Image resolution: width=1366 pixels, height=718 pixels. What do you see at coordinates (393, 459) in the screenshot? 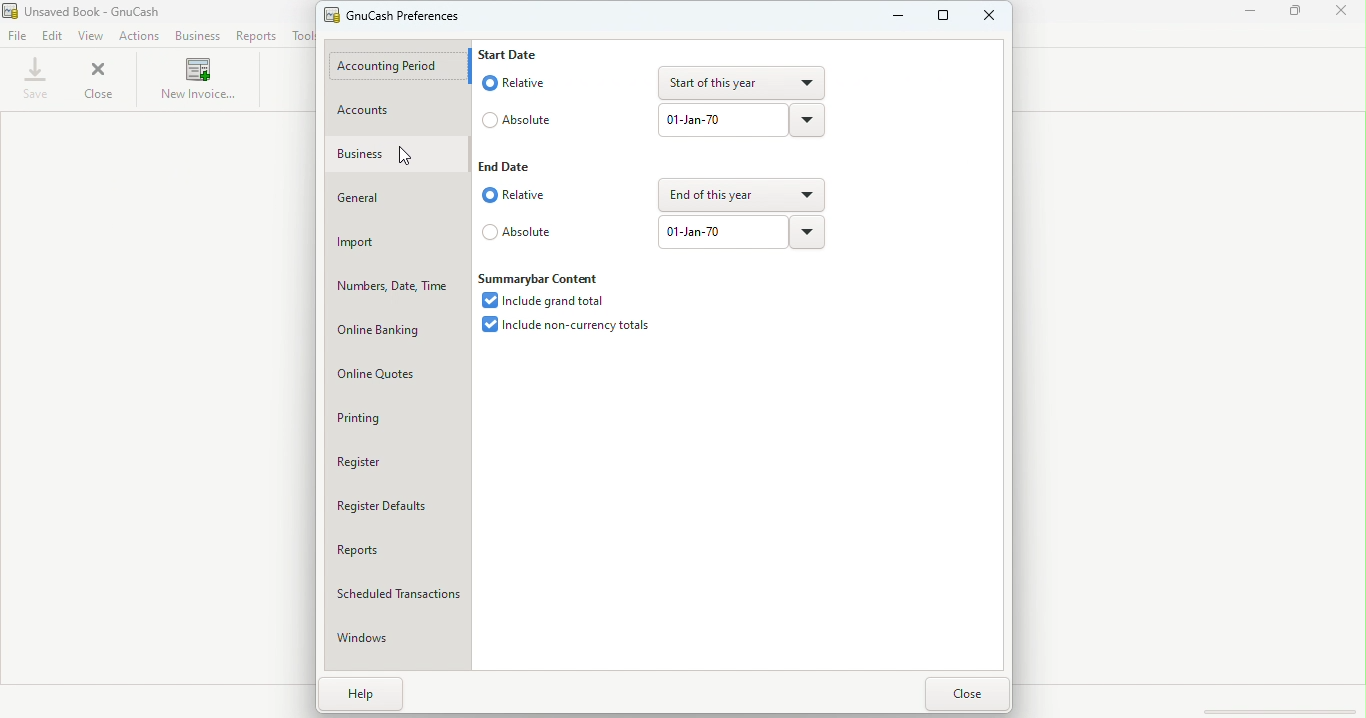
I see `Register` at bounding box center [393, 459].